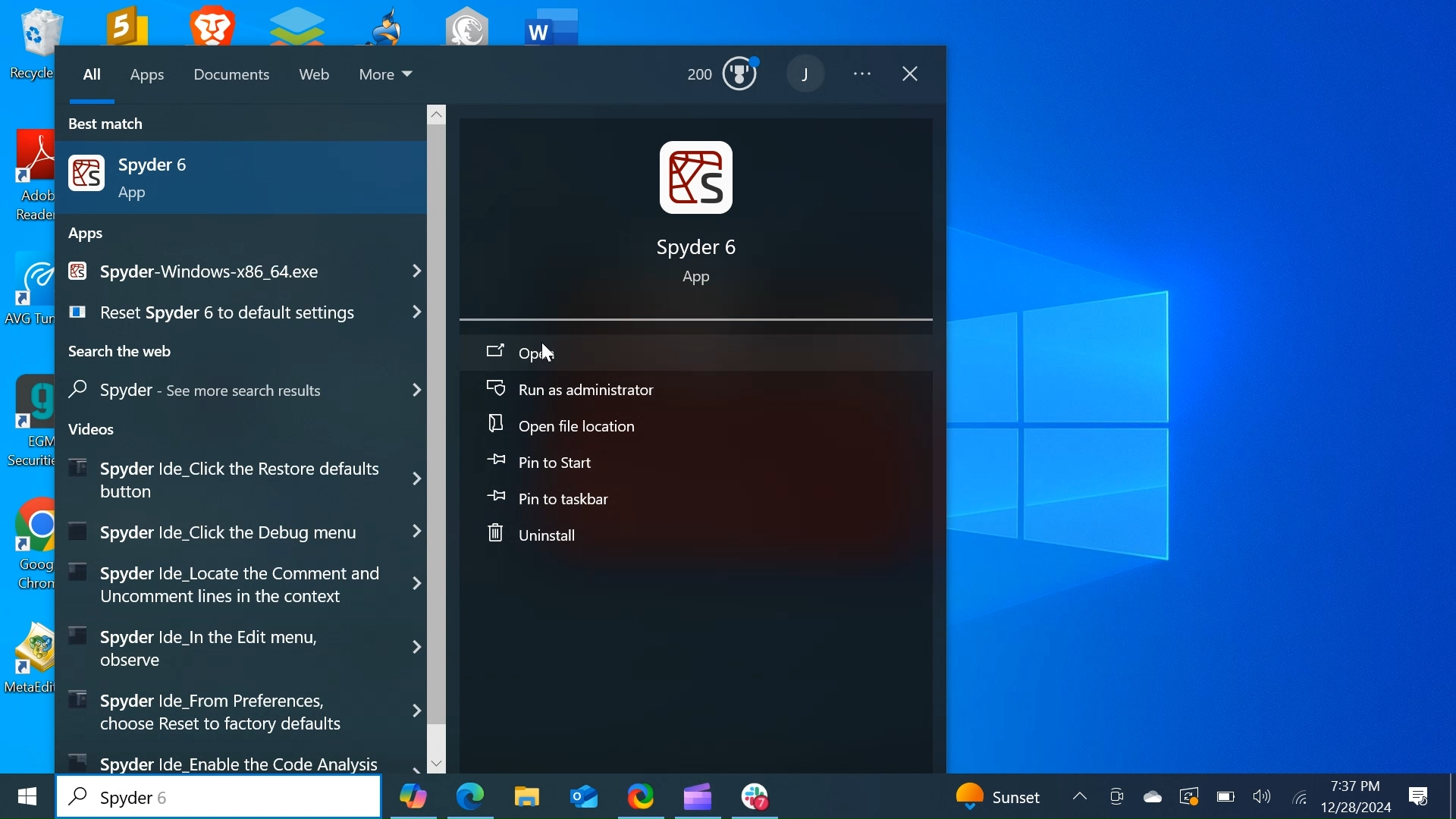  What do you see at coordinates (412, 796) in the screenshot?
I see `Copilot` at bounding box center [412, 796].